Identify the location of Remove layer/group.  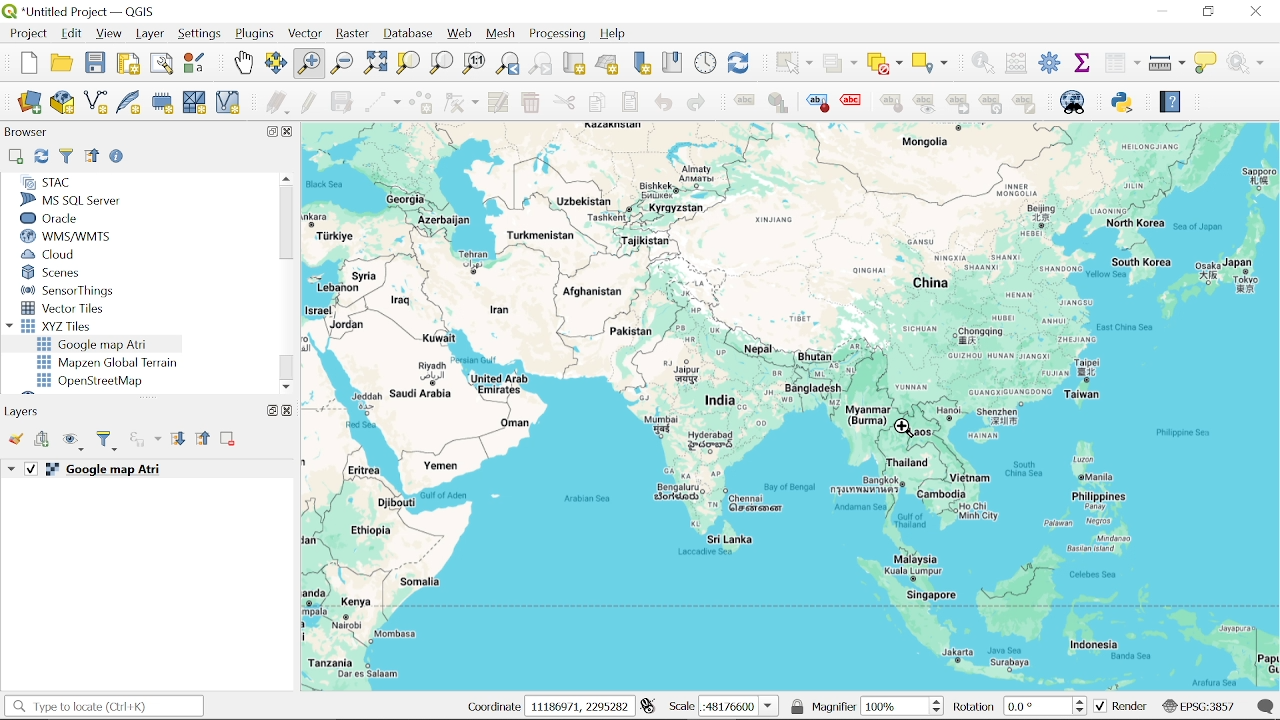
(228, 440).